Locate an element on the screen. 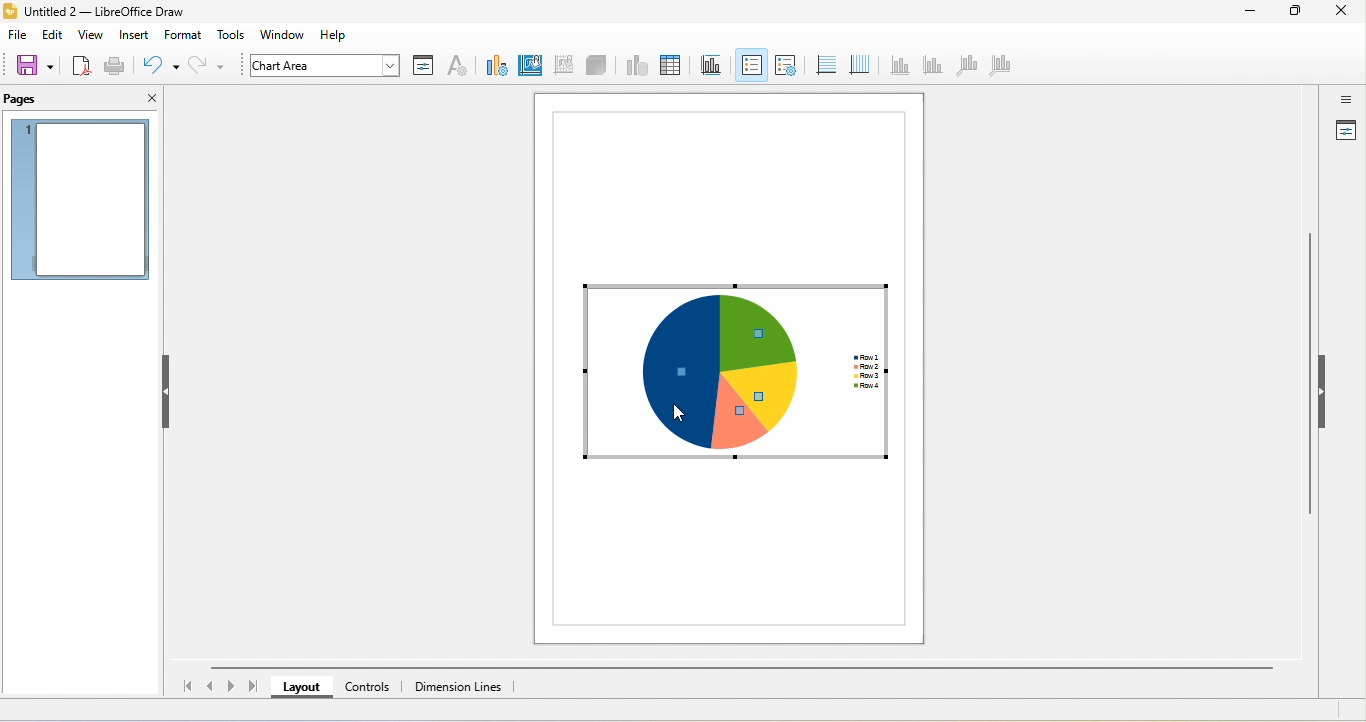 Image resolution: width=1366 pixels, height=722 pixels. horizontal grid is located at coordinates (824, 65).